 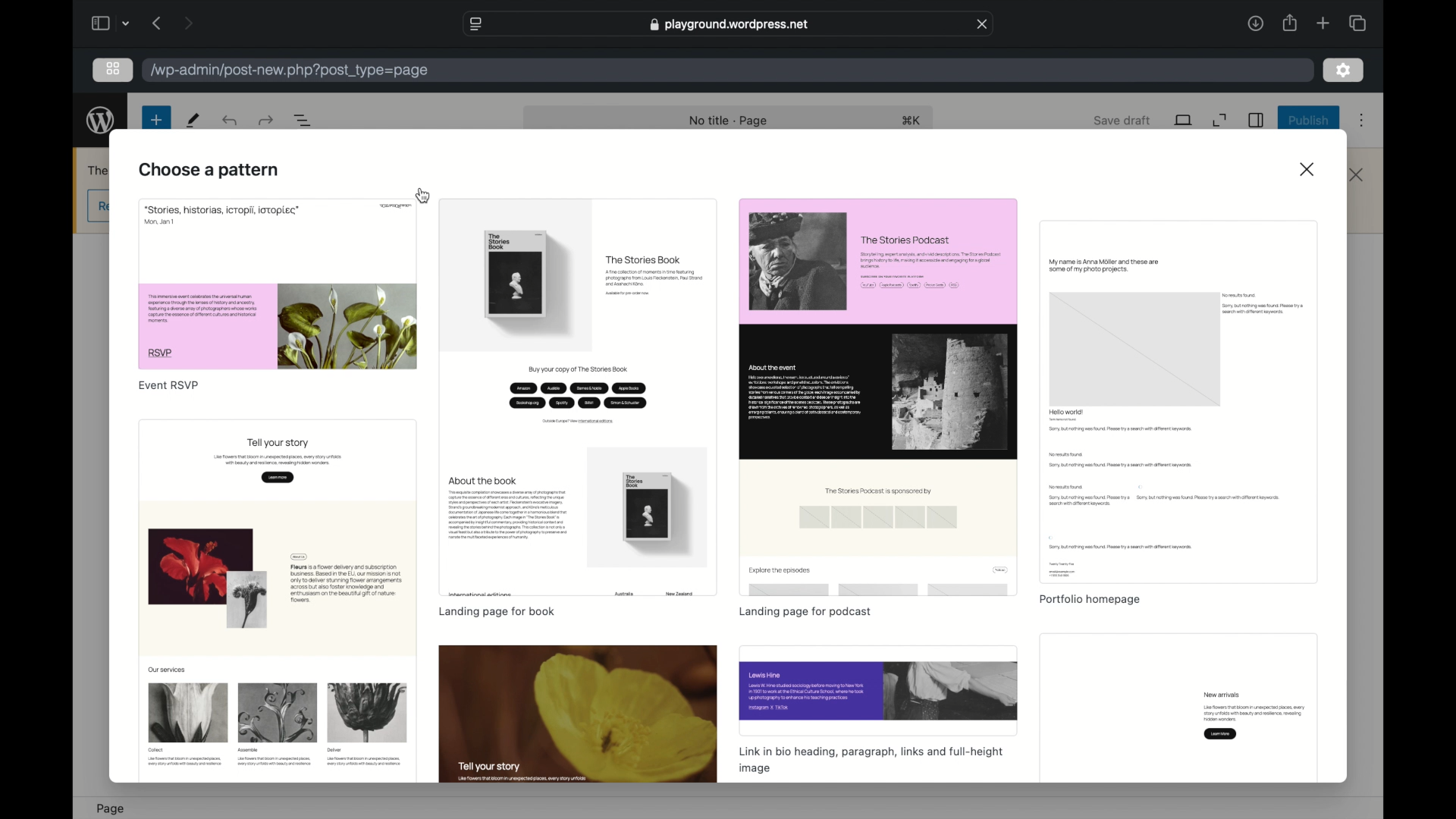 What do you see at coordinates (729, 121) in the screenshot?
I see `no title - page` at bounding box center [729, 121].